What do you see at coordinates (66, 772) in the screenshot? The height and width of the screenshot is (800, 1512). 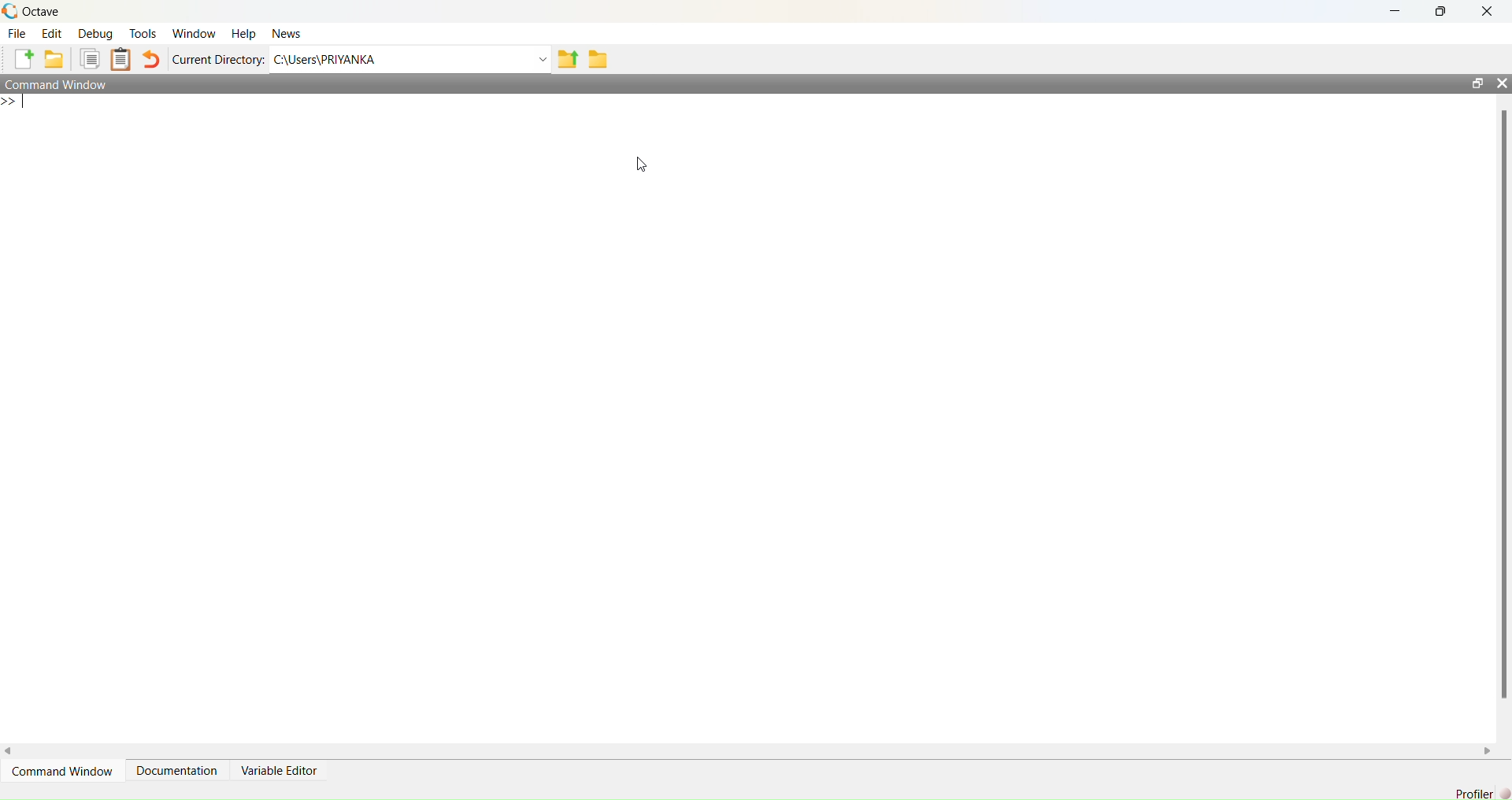 I see `Command Window` at bounding box center [66, 772].